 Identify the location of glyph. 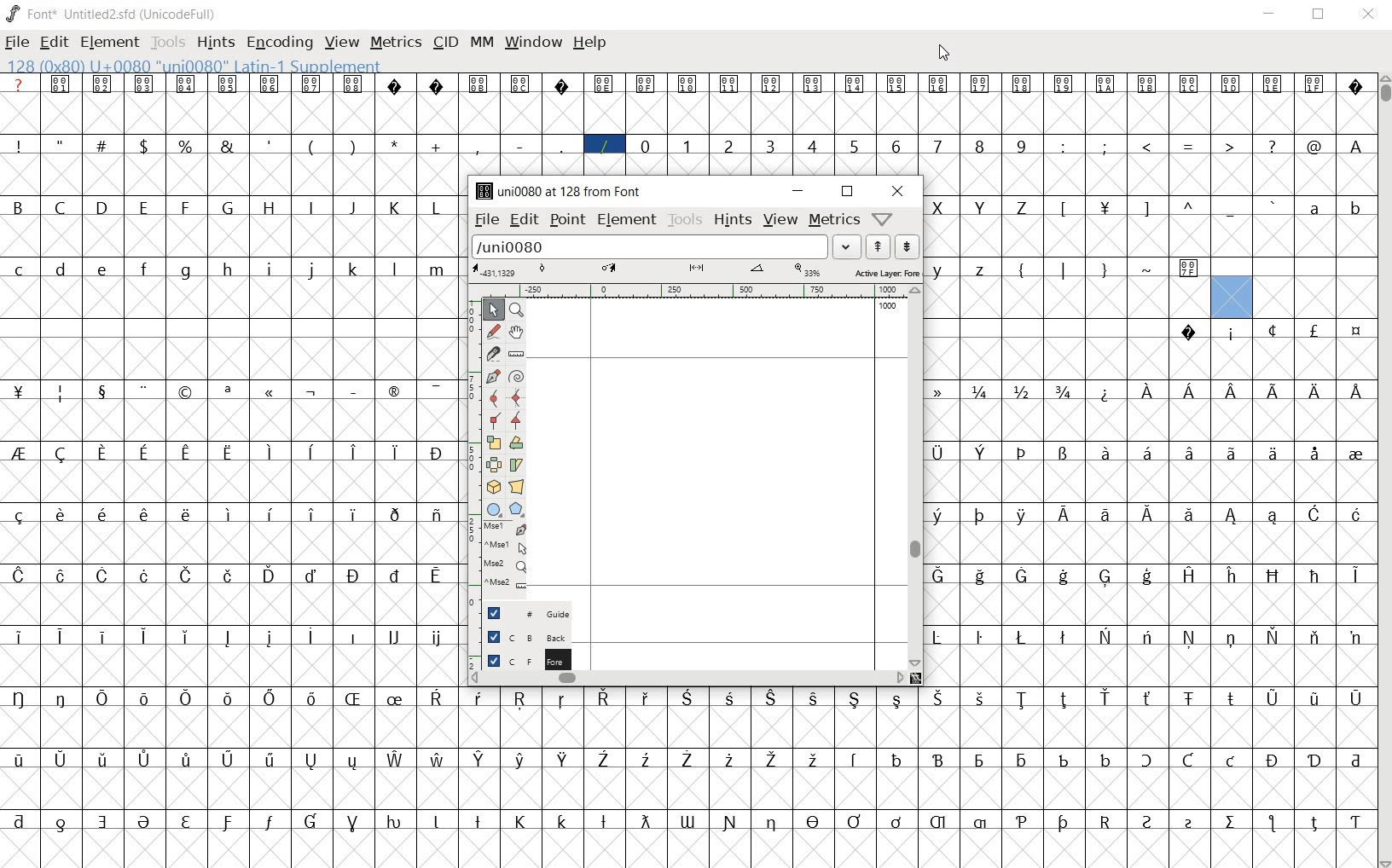
(102, 453).